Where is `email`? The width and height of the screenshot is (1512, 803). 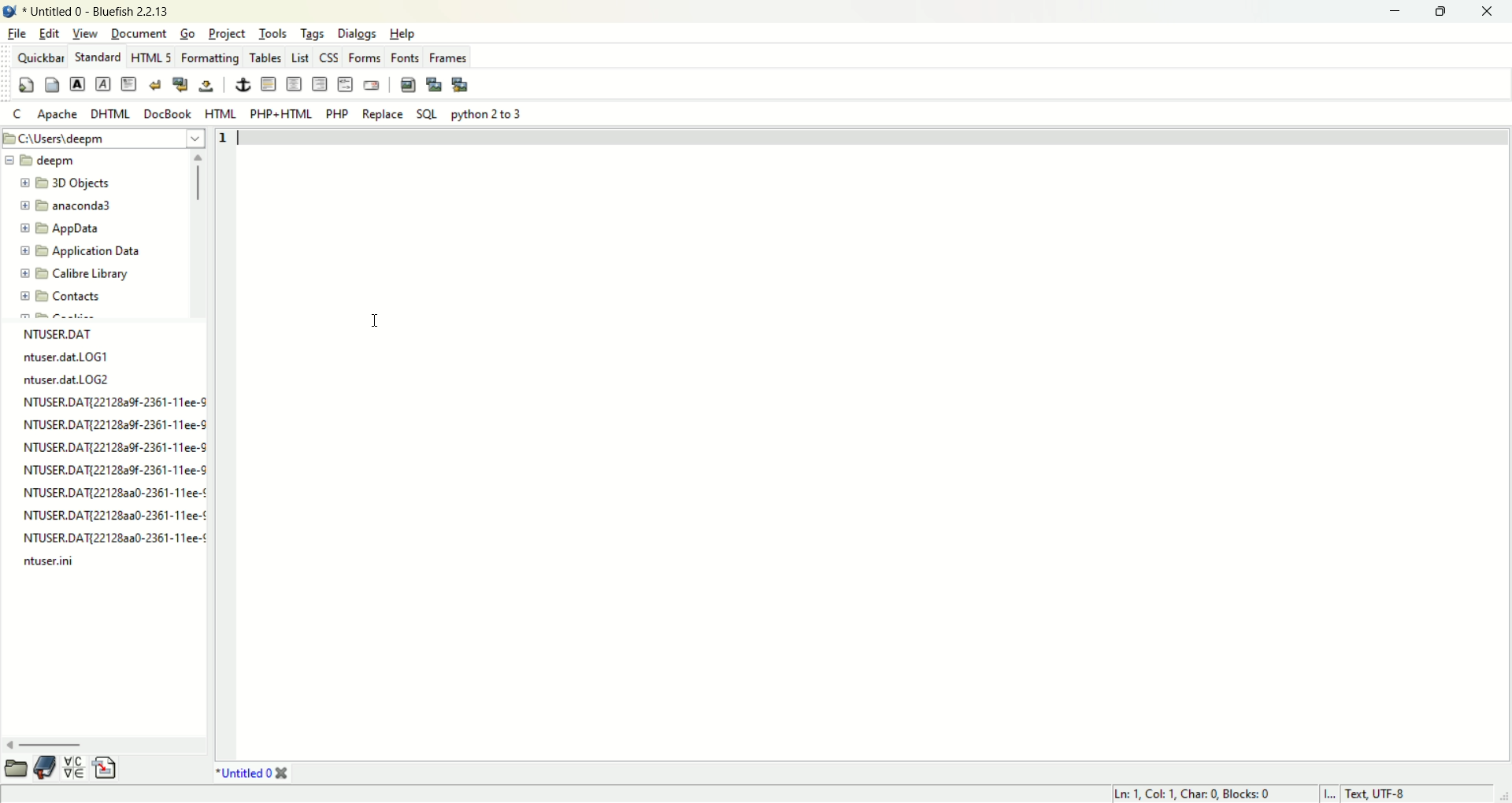
email is located at coordinates (372, 86).